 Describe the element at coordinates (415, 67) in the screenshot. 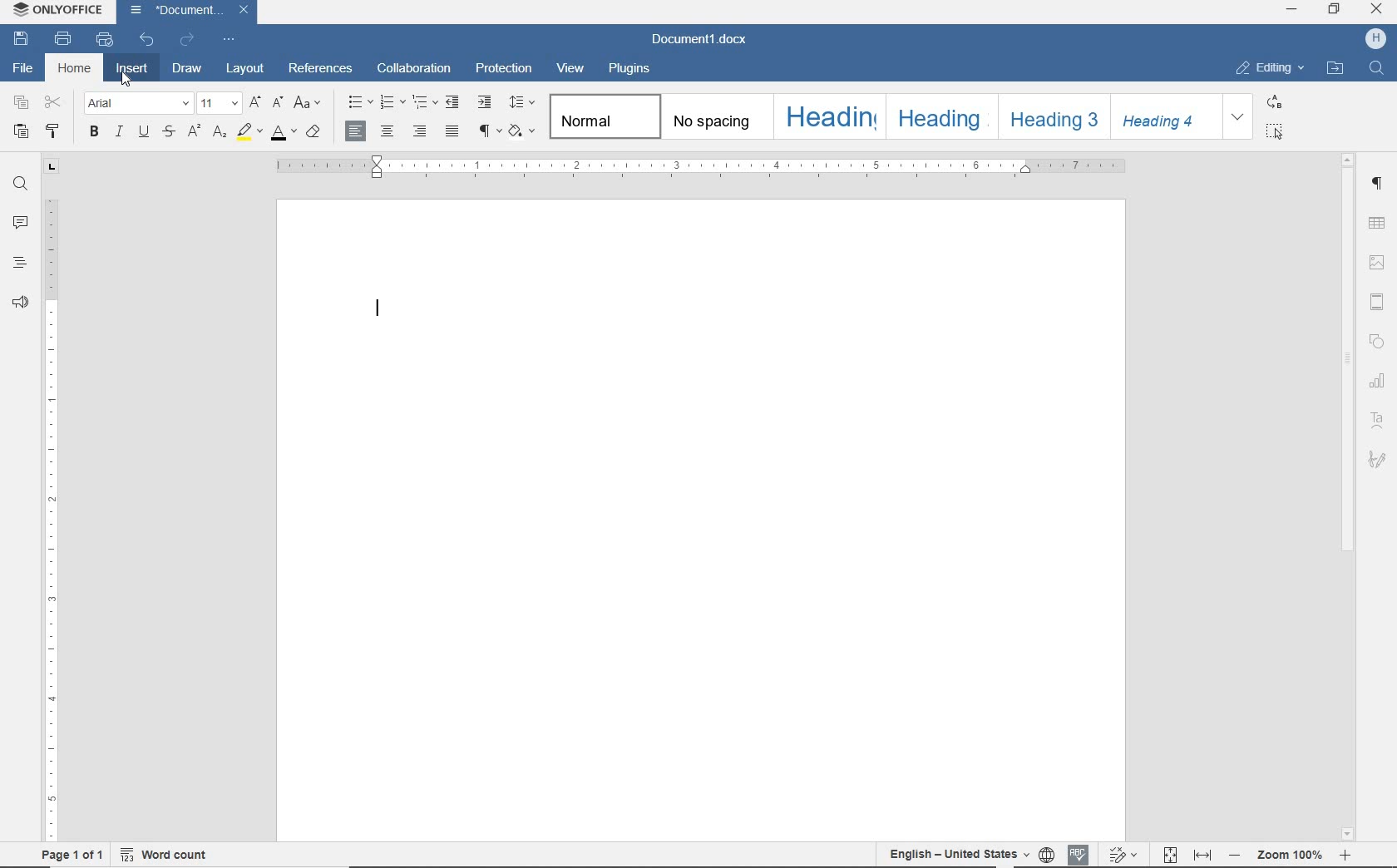

I see `collaboration` at that location.